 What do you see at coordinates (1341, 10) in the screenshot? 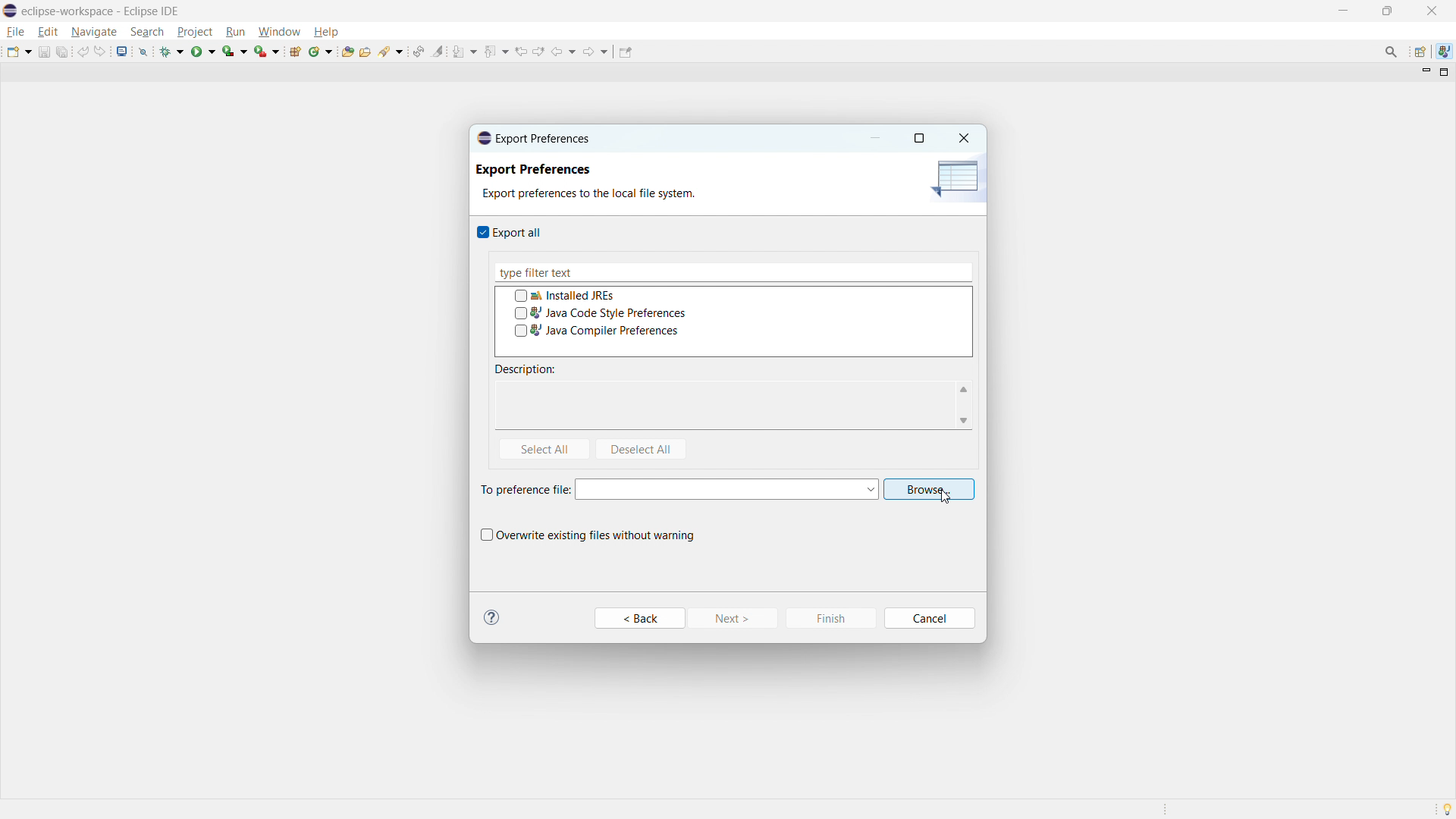
I see `minimize` at bounding box center [1341, 10].